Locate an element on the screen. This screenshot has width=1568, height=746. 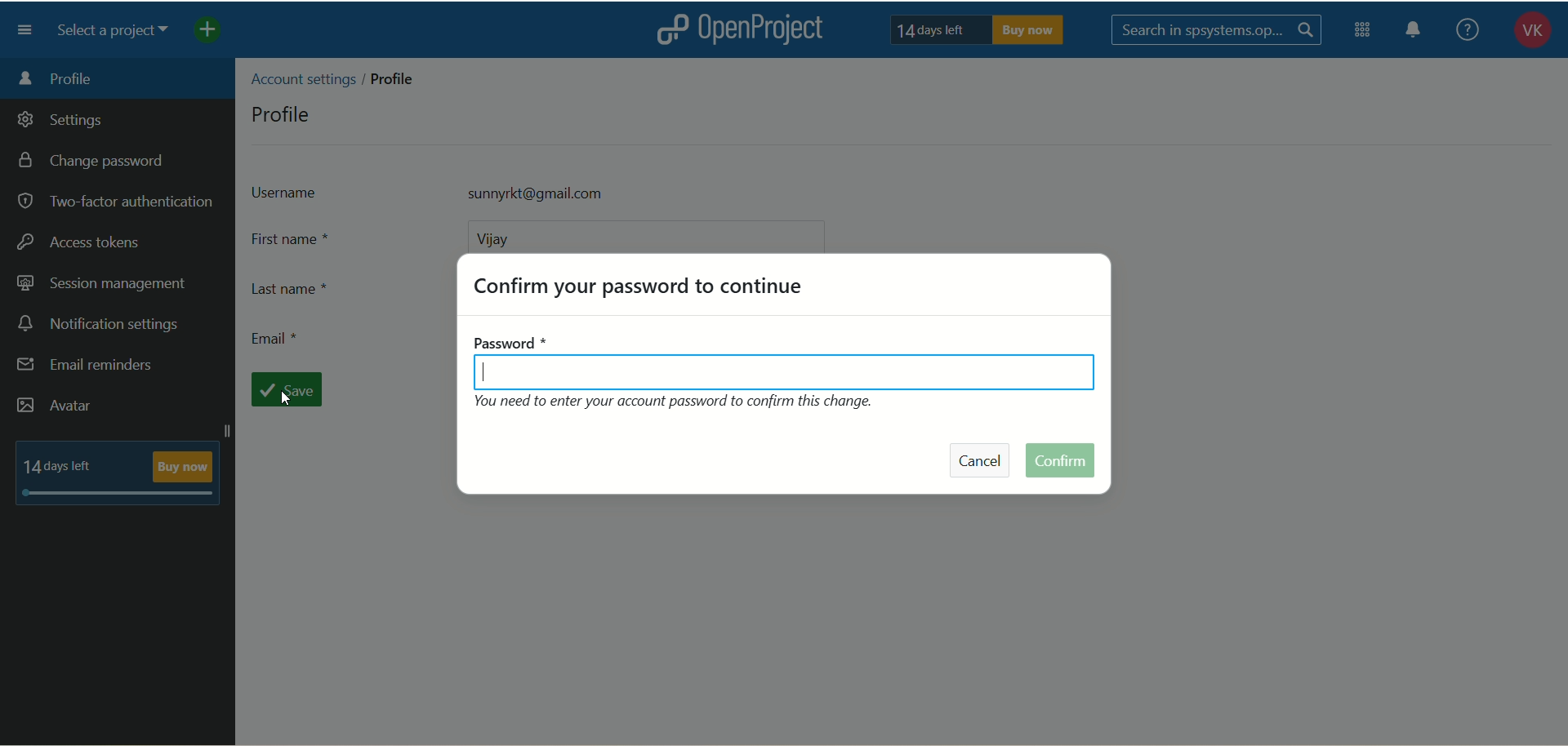
account is located at coordinates (1526, 33).